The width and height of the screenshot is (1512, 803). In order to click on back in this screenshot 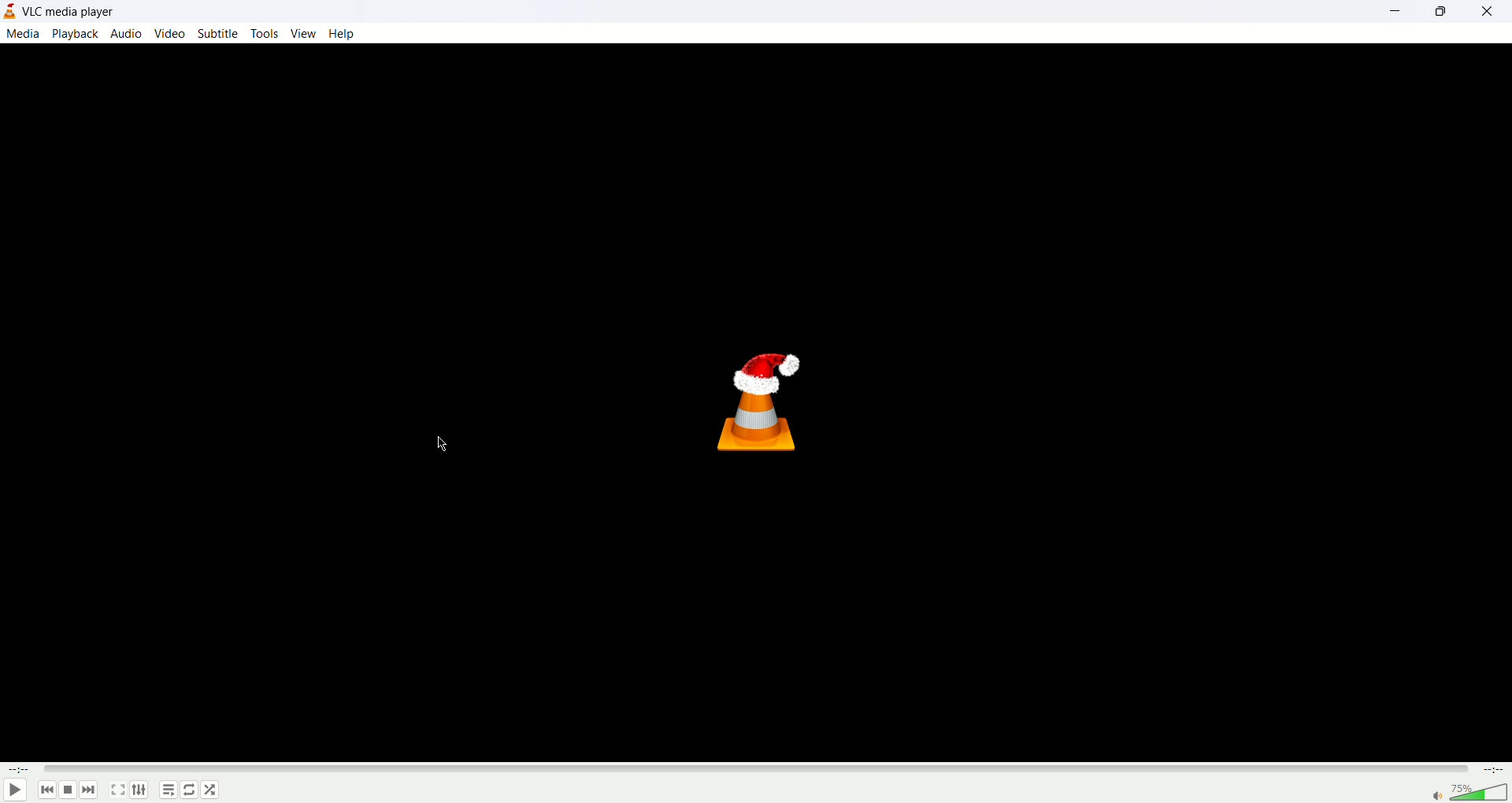, I will do `click(46, 790)`.